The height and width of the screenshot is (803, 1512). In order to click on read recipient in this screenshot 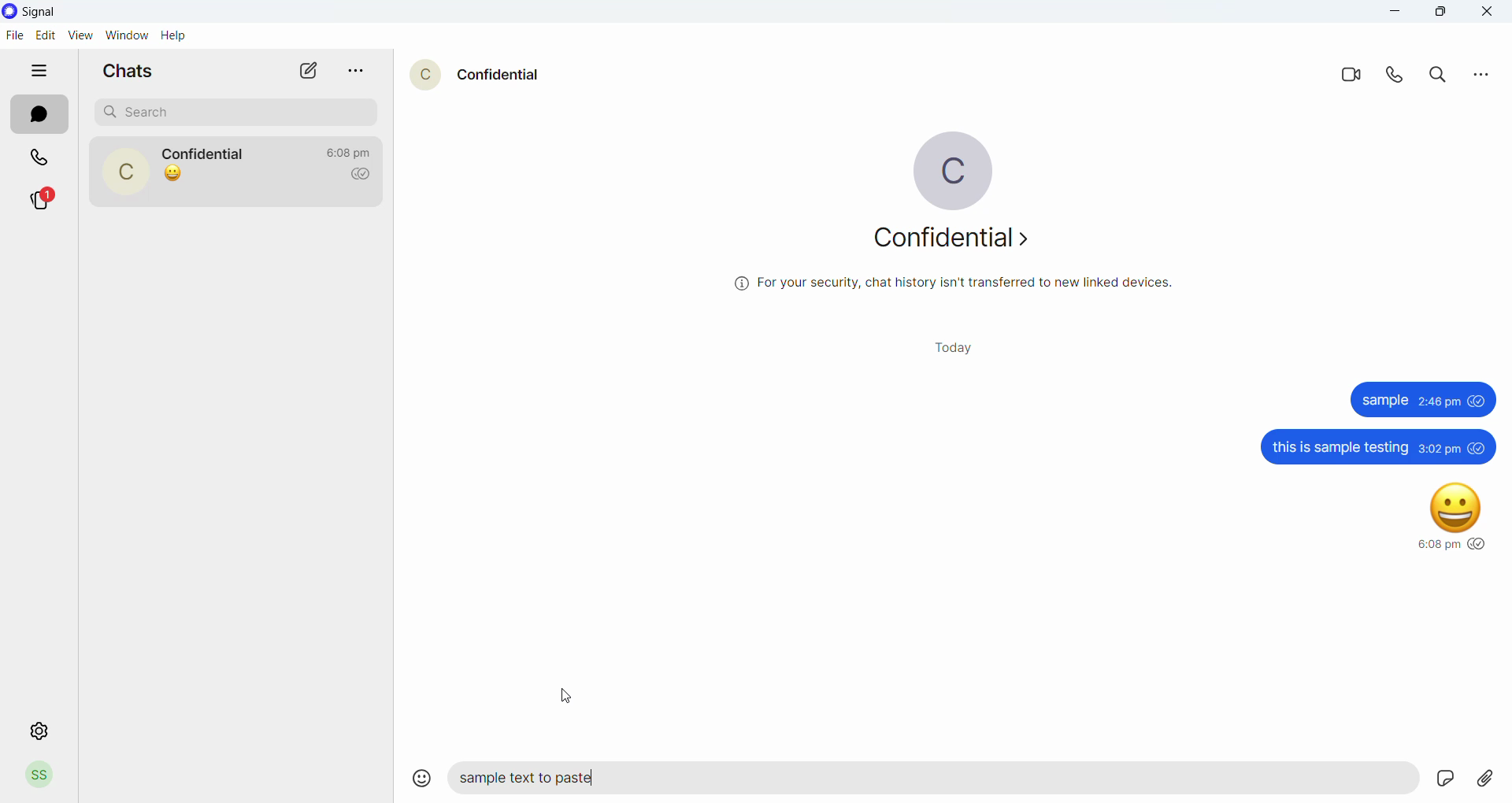, I will do `click(365, 175)`.